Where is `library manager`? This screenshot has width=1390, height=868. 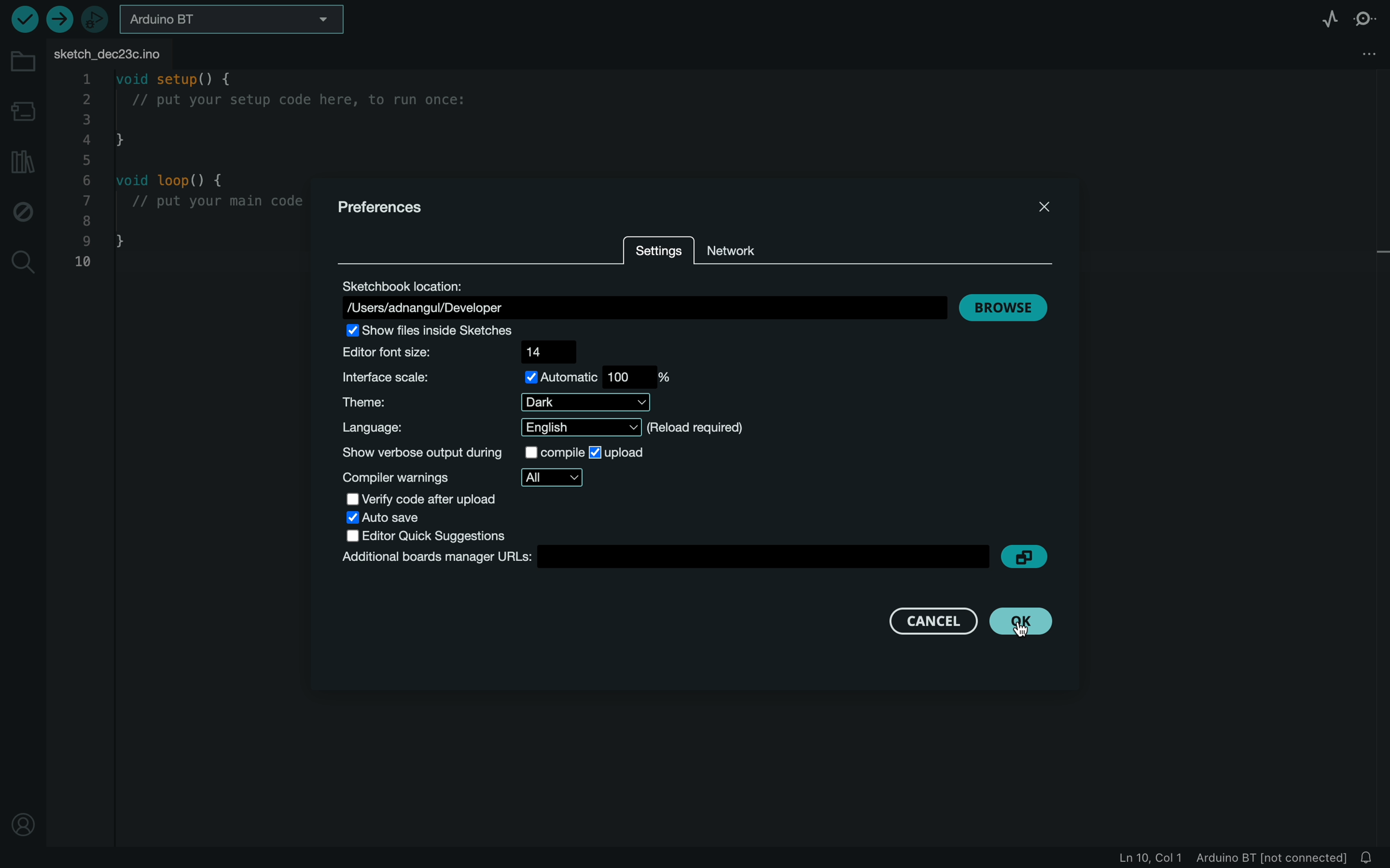
library manager is located at coordinates (22, 163).